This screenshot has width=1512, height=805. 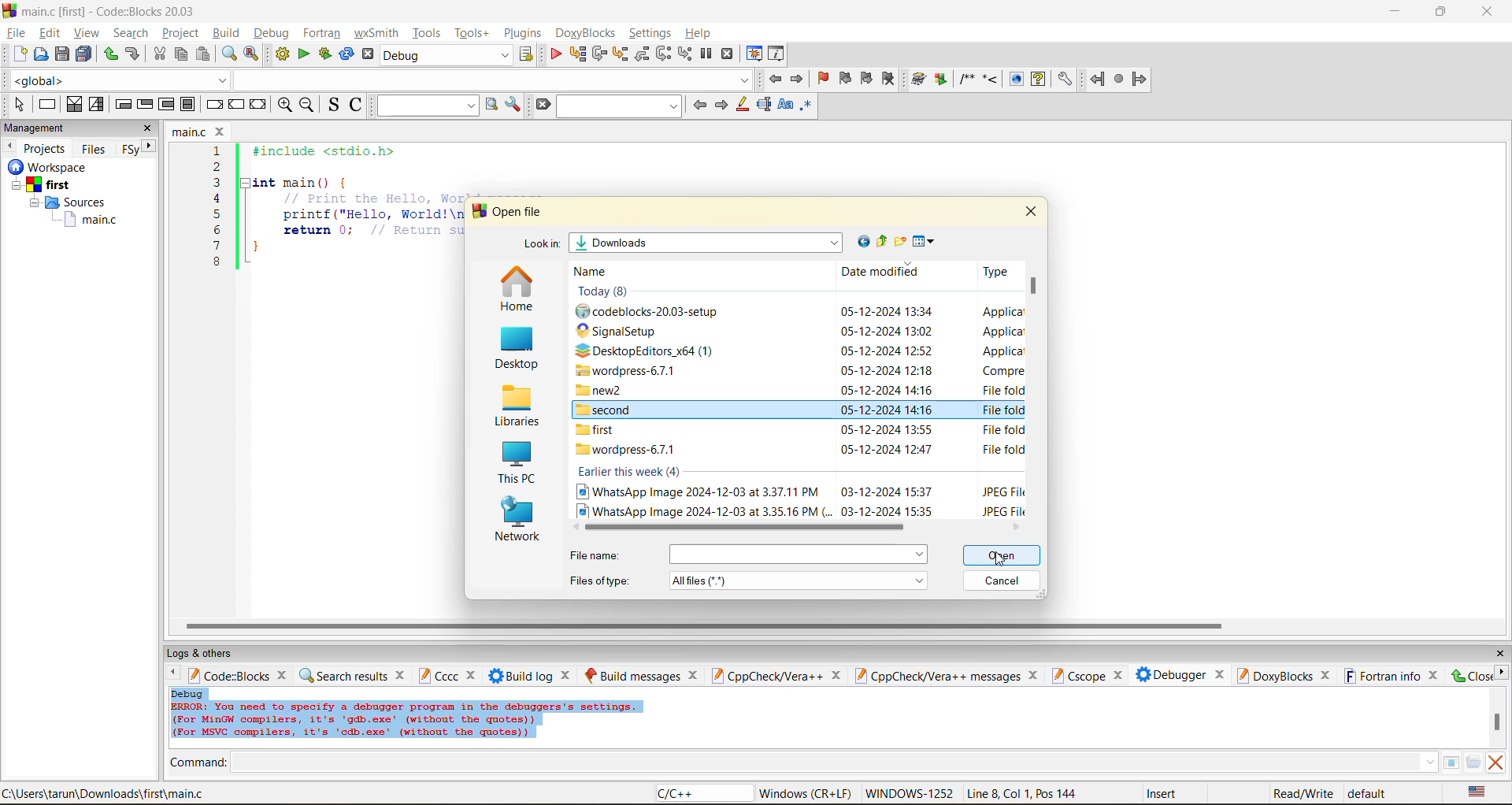 What do you see at coordinates (46, 105) in the screenshot?
I see `instruction` at bounding box center [46, 105].